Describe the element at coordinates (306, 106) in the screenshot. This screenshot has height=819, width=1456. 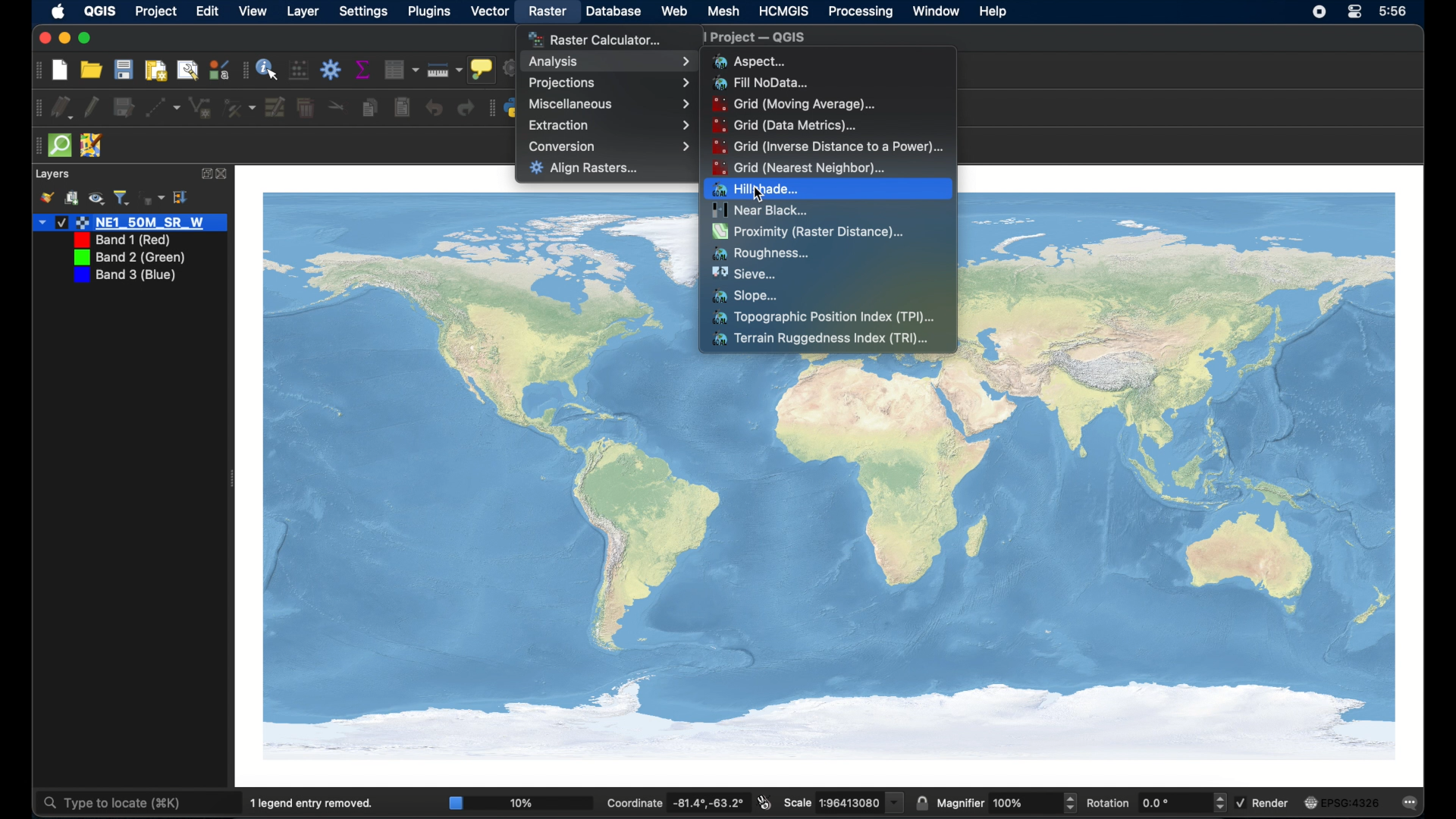
I see `delete selected` at that location.